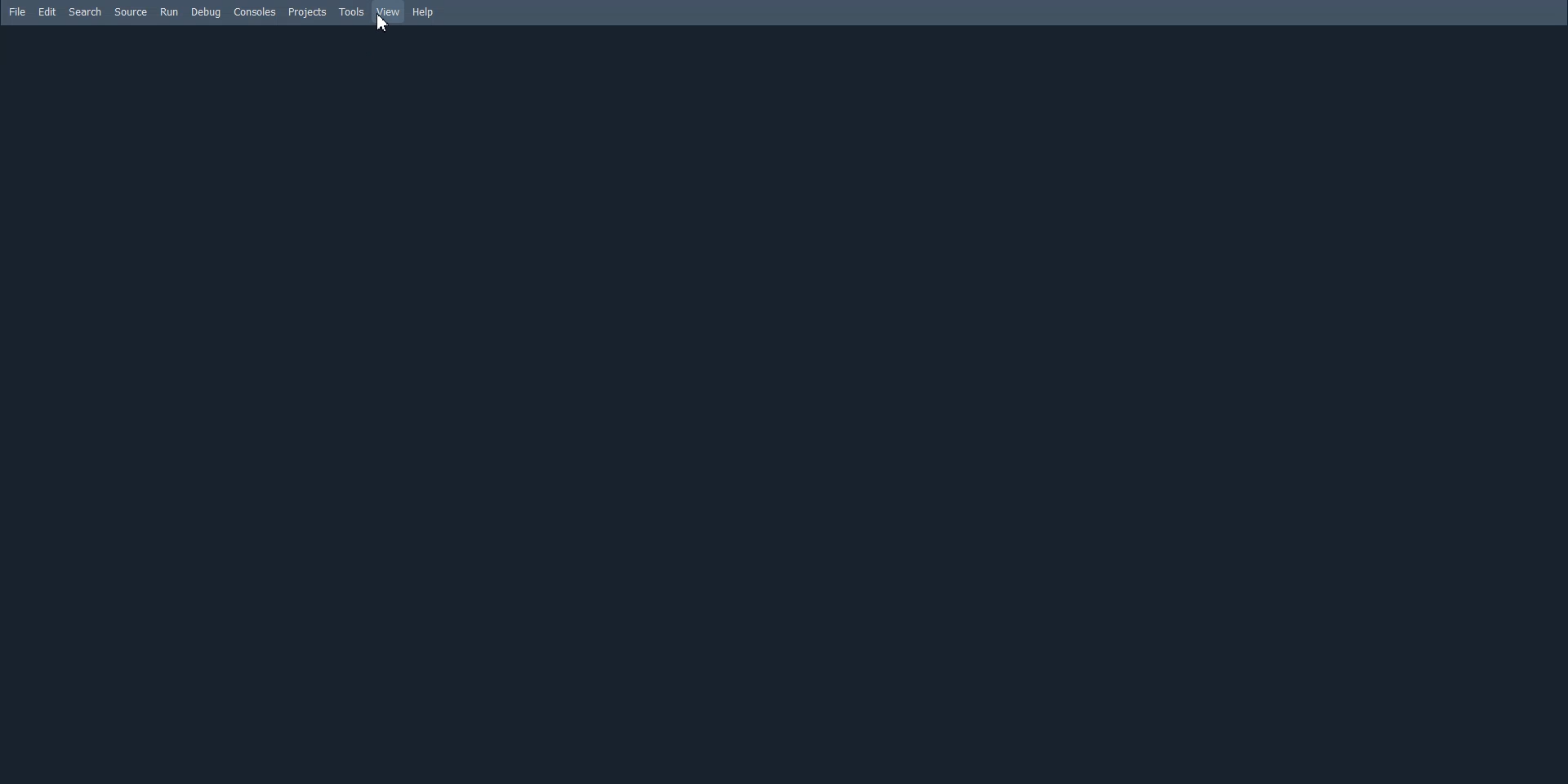  What do you see at coordinates (48, 11) in the screenshot?
I see `Edit` at bounding box center [48, 11].